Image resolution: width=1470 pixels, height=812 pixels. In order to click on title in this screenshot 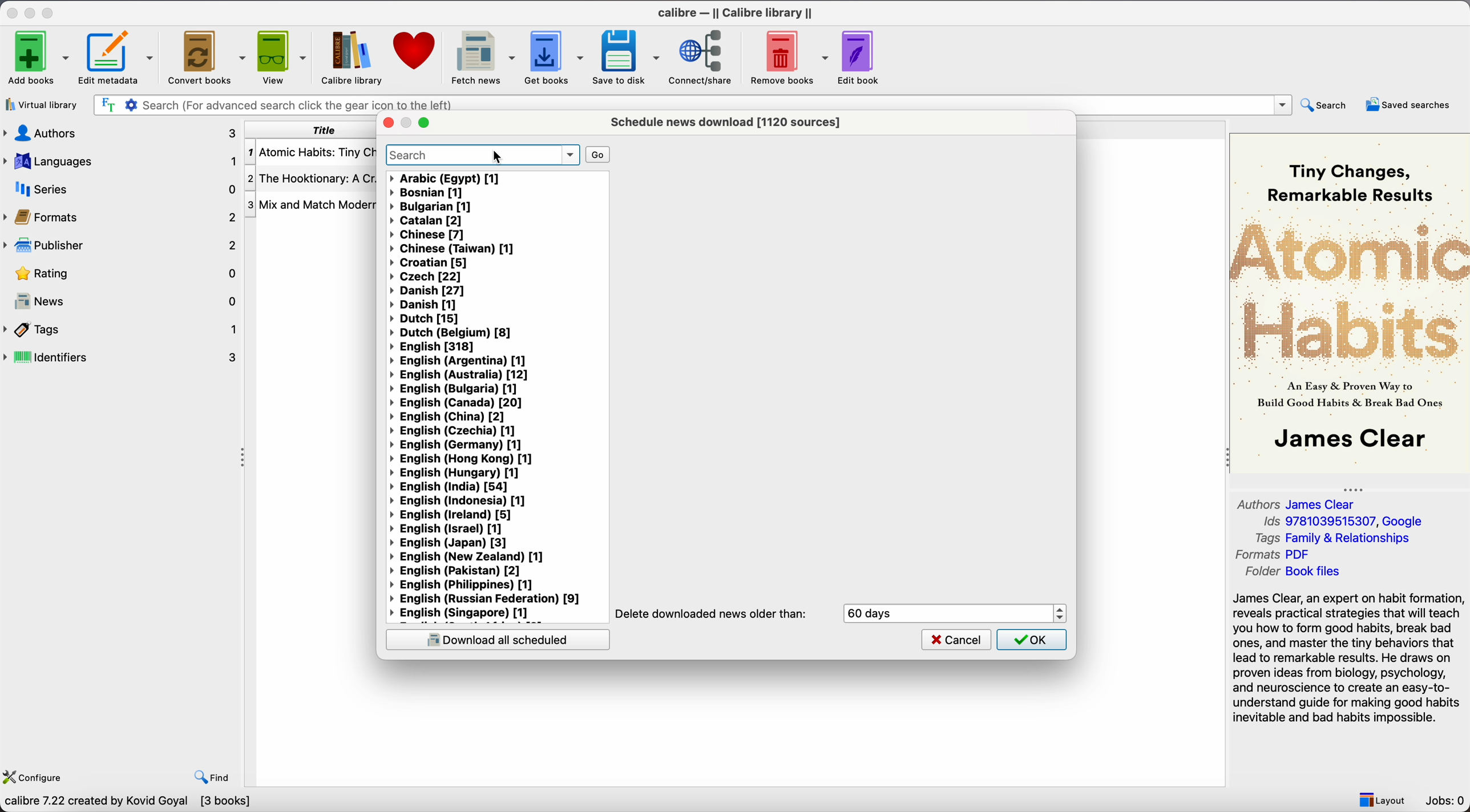, I will do `click(309, 130)`.